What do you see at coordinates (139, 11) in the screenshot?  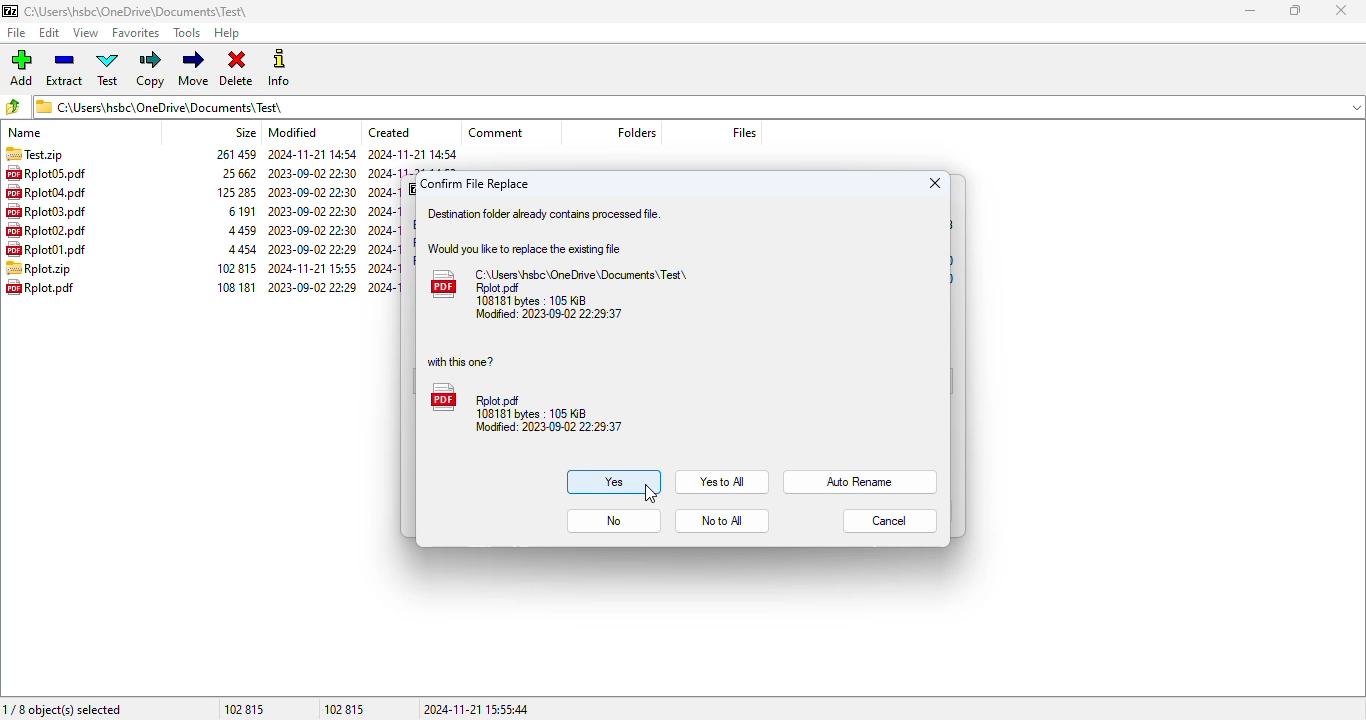 I see `folder name` at bounding box center [139, 11].